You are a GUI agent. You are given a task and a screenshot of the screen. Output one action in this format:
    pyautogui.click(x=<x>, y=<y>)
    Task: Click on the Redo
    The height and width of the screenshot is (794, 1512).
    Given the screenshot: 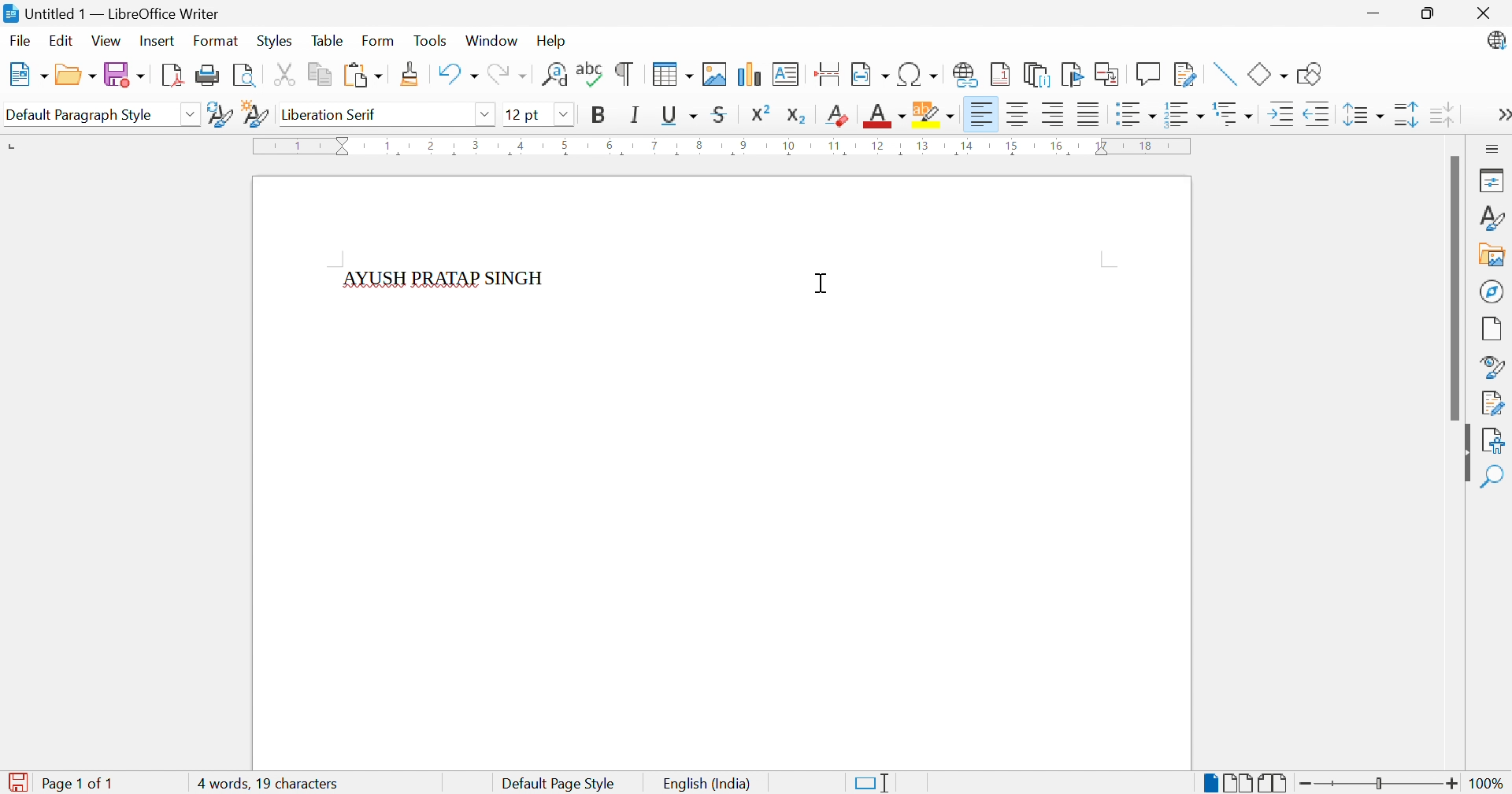 What is the action you would take?
    pyautogui.click(x=507, y=75)
    